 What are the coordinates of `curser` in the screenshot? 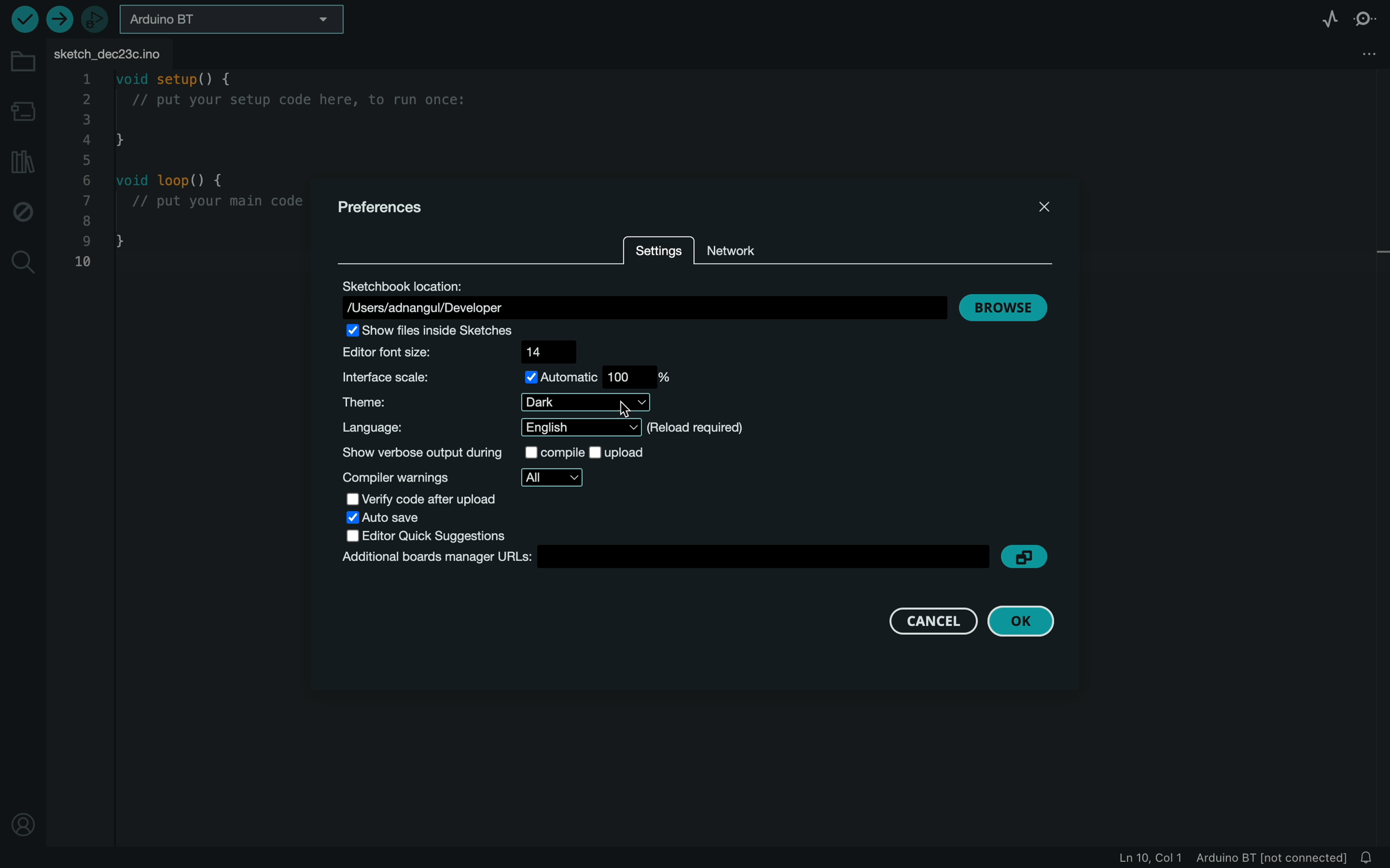 It's located at (620, 412).